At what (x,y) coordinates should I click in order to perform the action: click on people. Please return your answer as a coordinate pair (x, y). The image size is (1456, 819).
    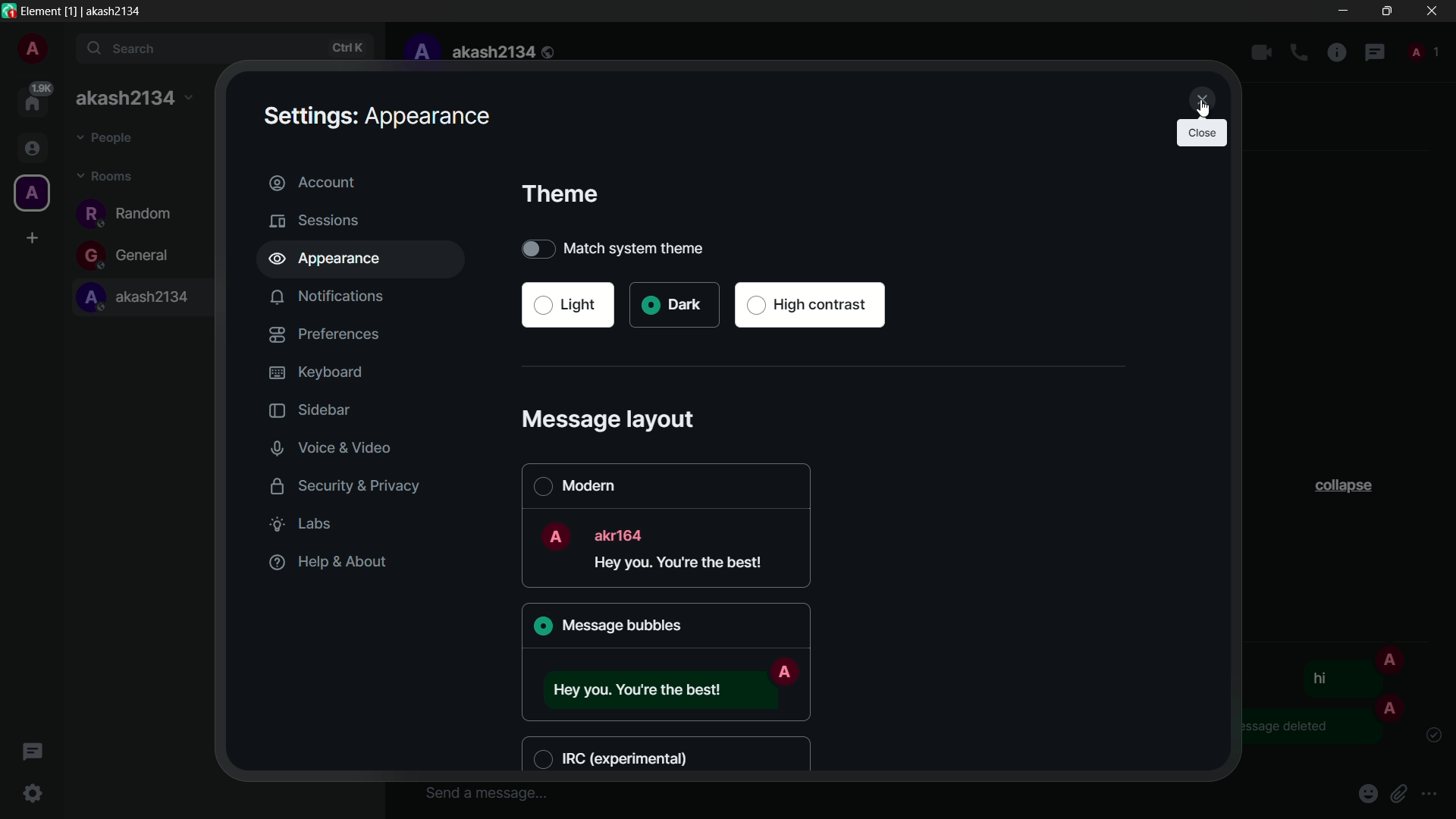
    Looking at the image, I should click on (108, 140).